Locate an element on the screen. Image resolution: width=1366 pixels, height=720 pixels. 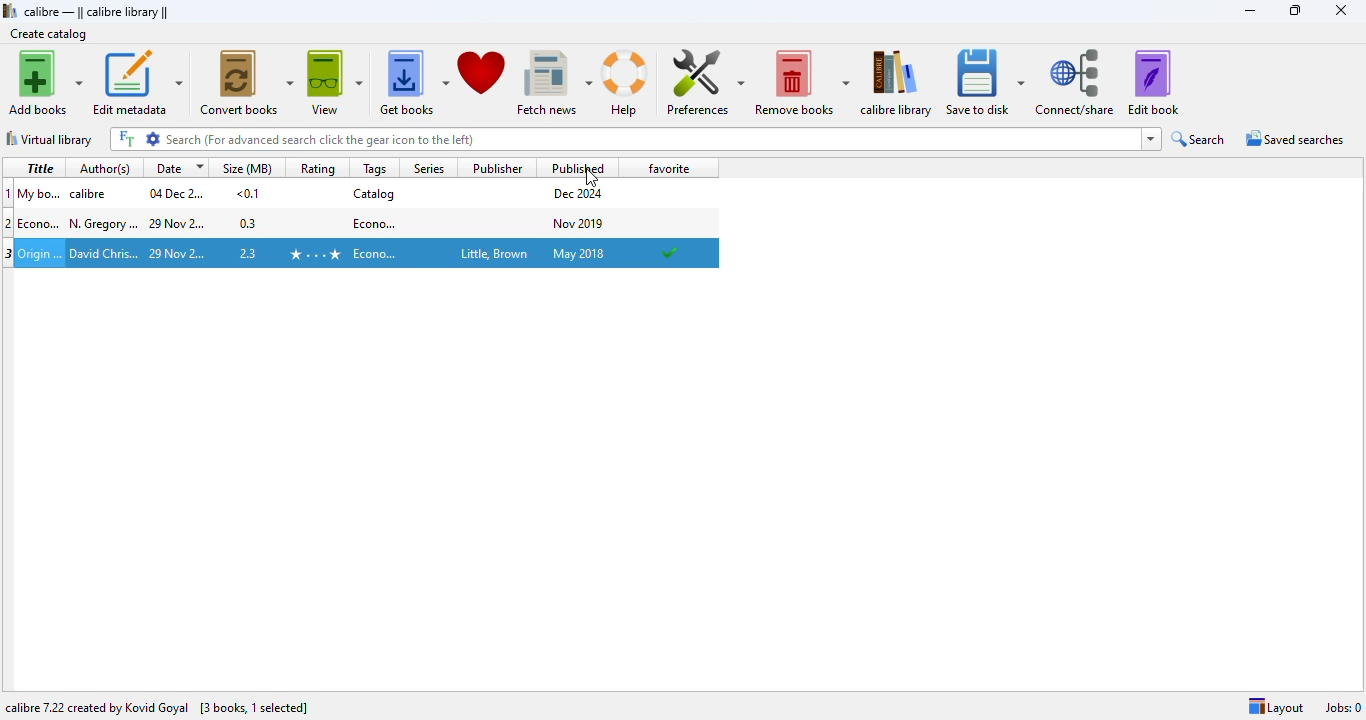
minimize is located at coordinates (1251, 11).